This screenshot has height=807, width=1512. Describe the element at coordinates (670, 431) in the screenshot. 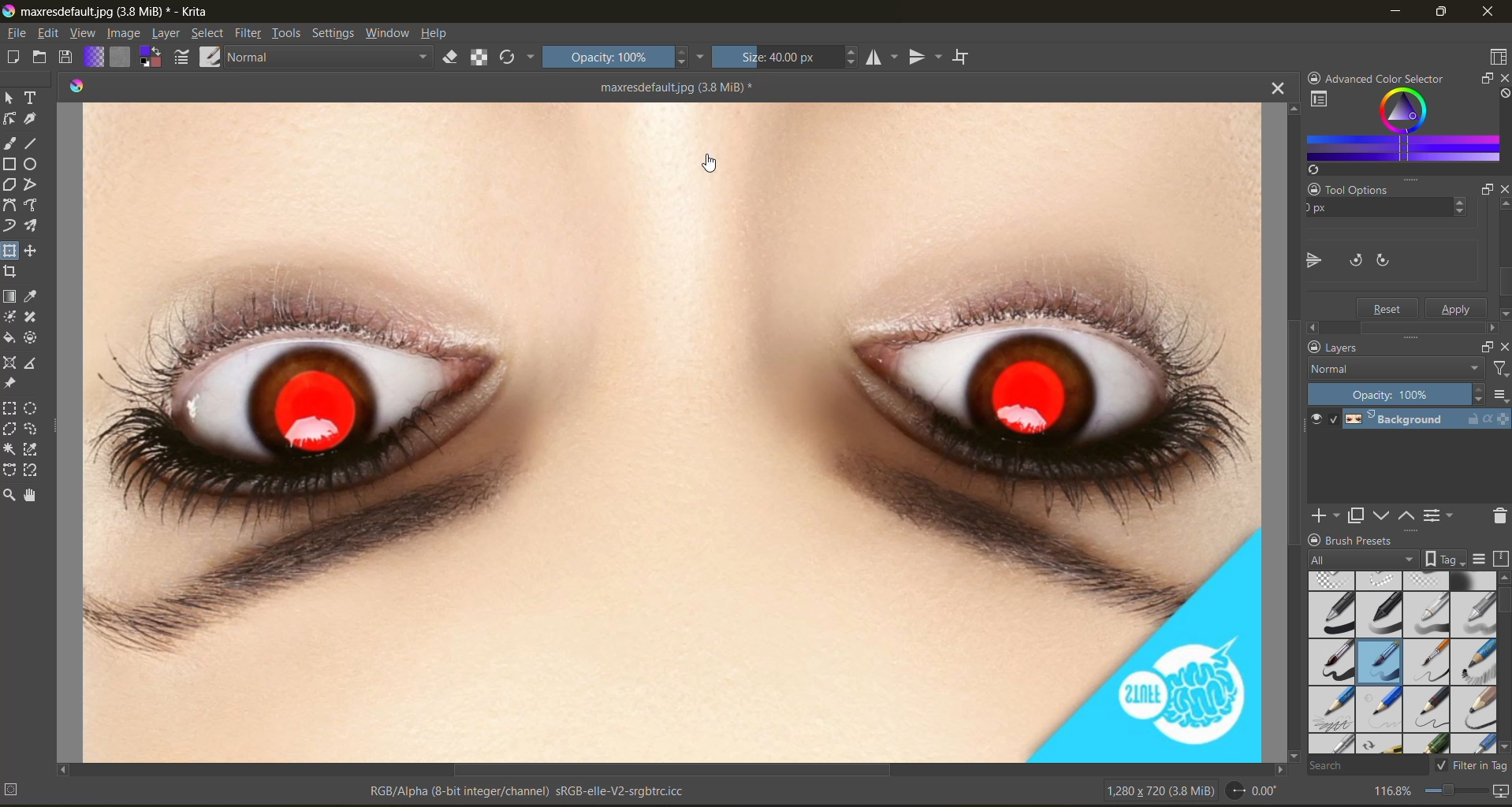

I see `vertically flipped canvas` at that location.